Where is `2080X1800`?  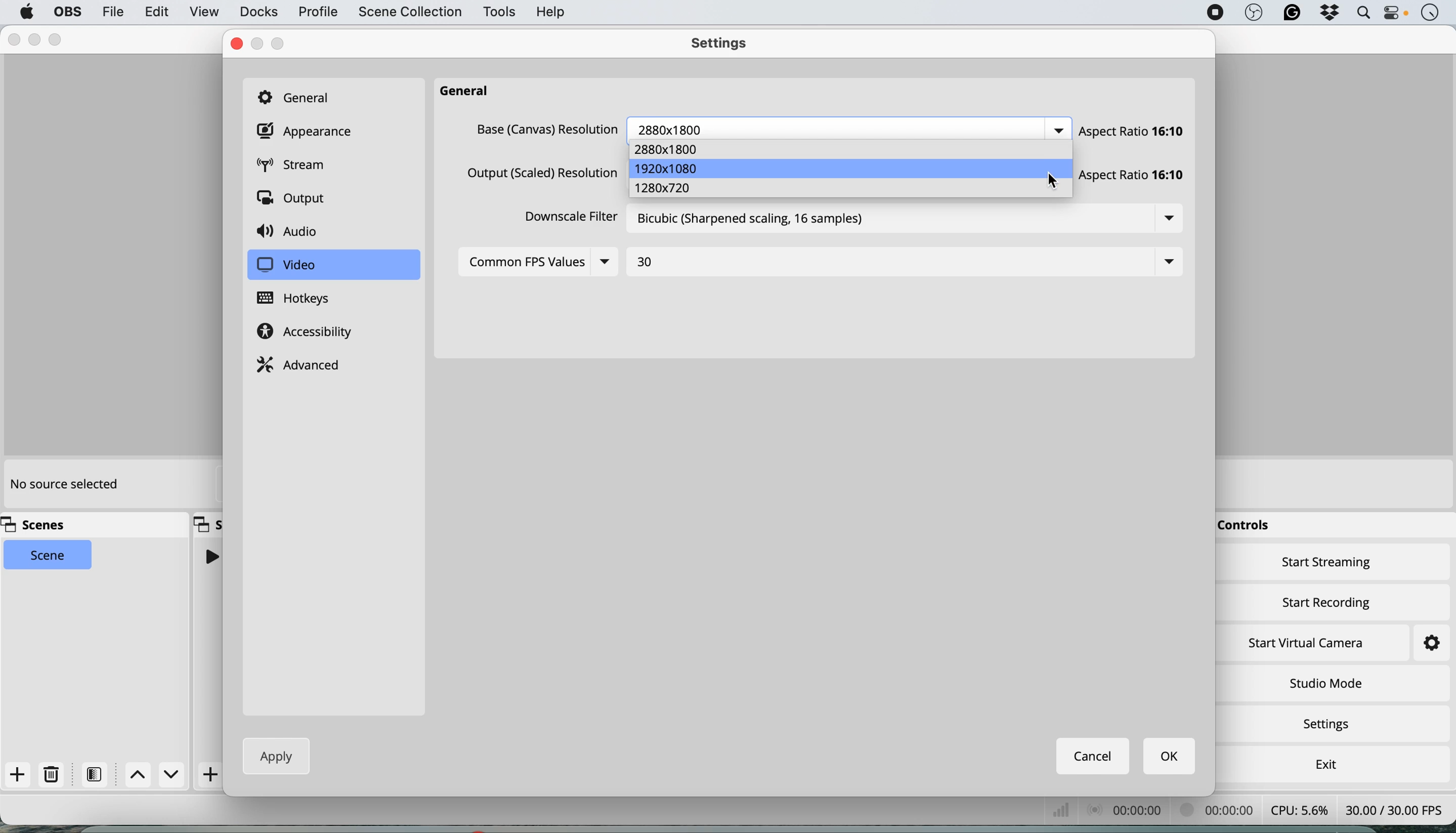
2080X1800 is located at coordinates (674, 128).